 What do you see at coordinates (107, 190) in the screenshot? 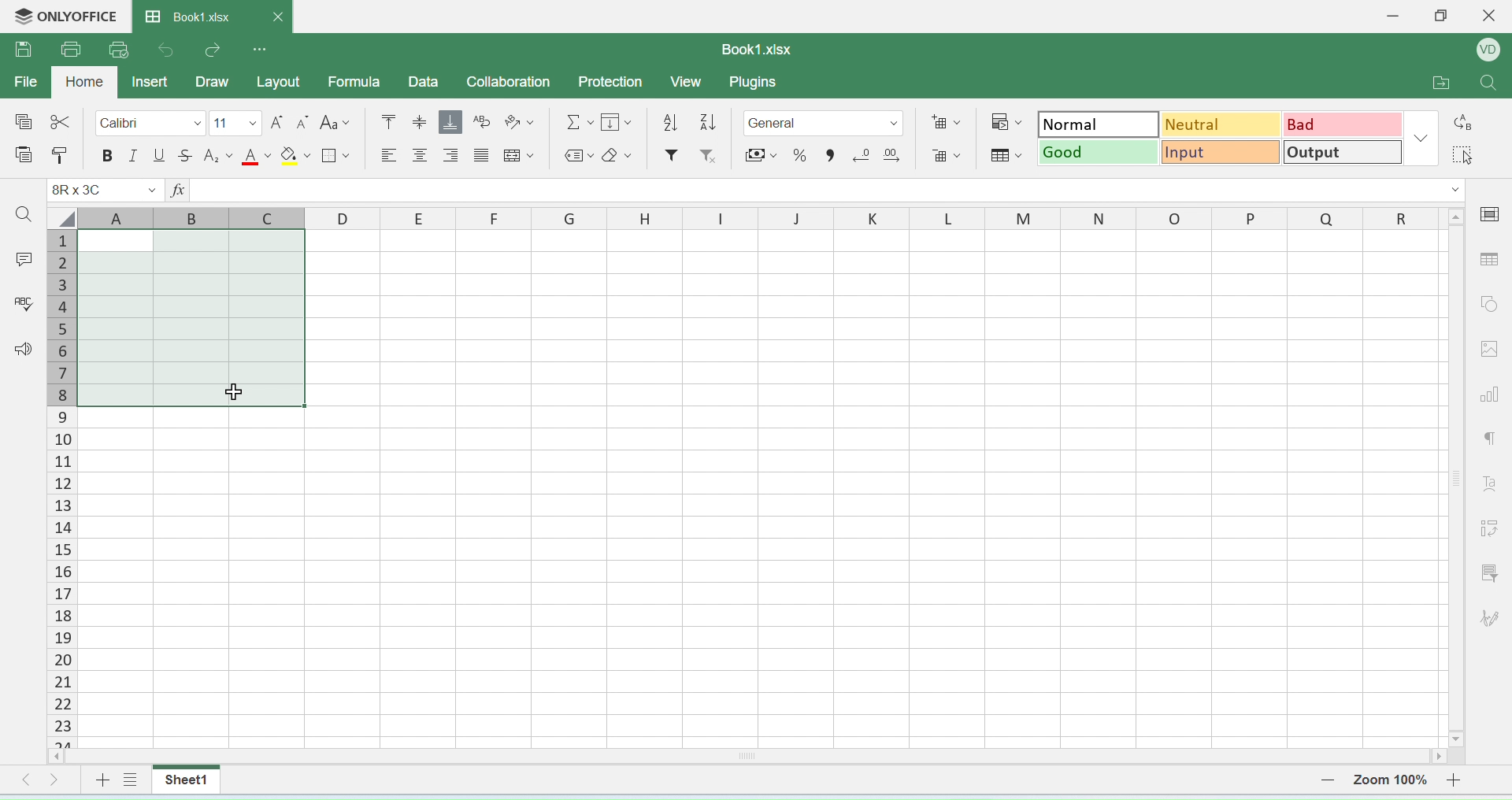
I see `cell name` at bounding box center [107, 190].